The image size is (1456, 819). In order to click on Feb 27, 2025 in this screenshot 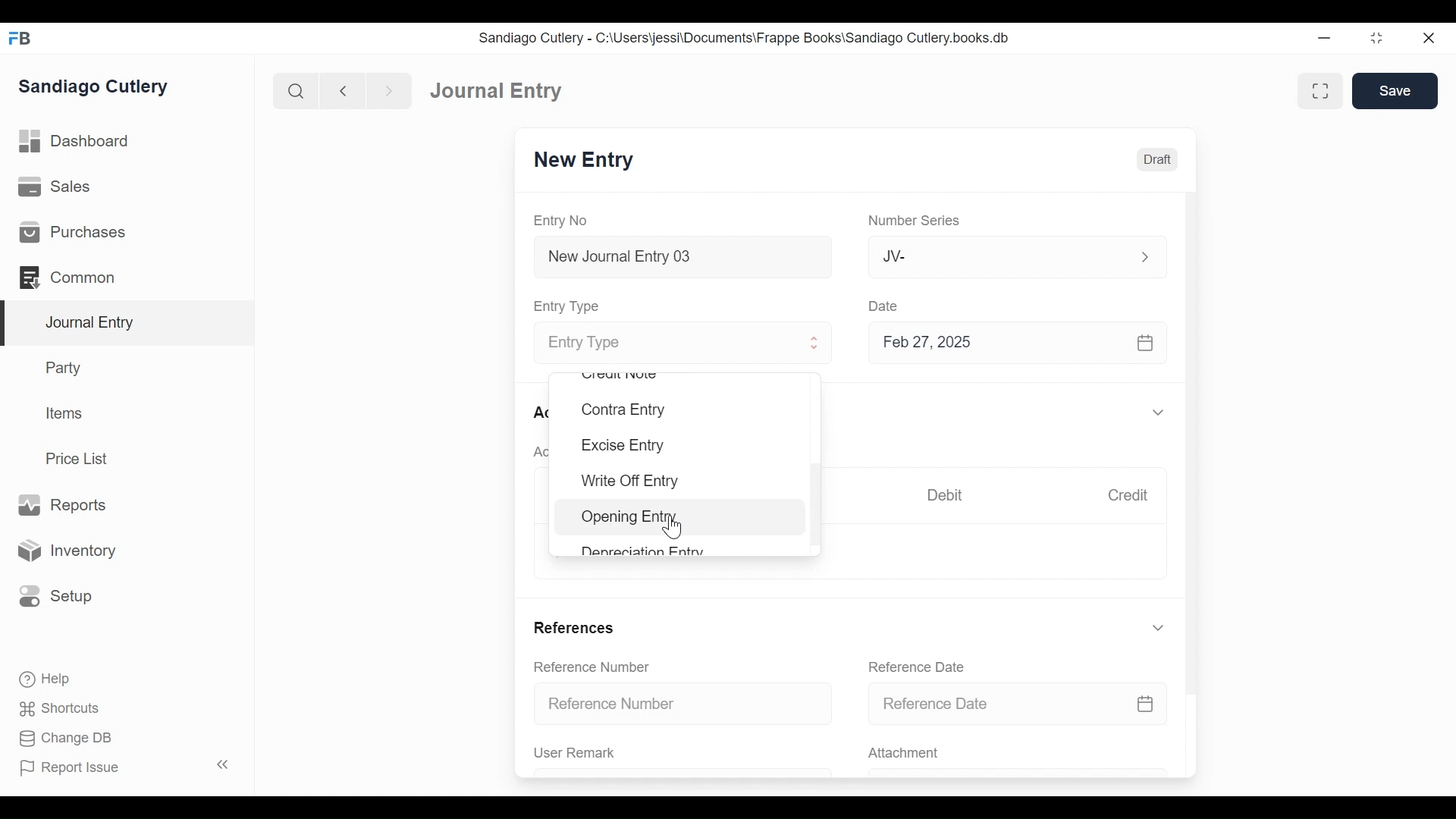, I will do `click(1015, 344)`.